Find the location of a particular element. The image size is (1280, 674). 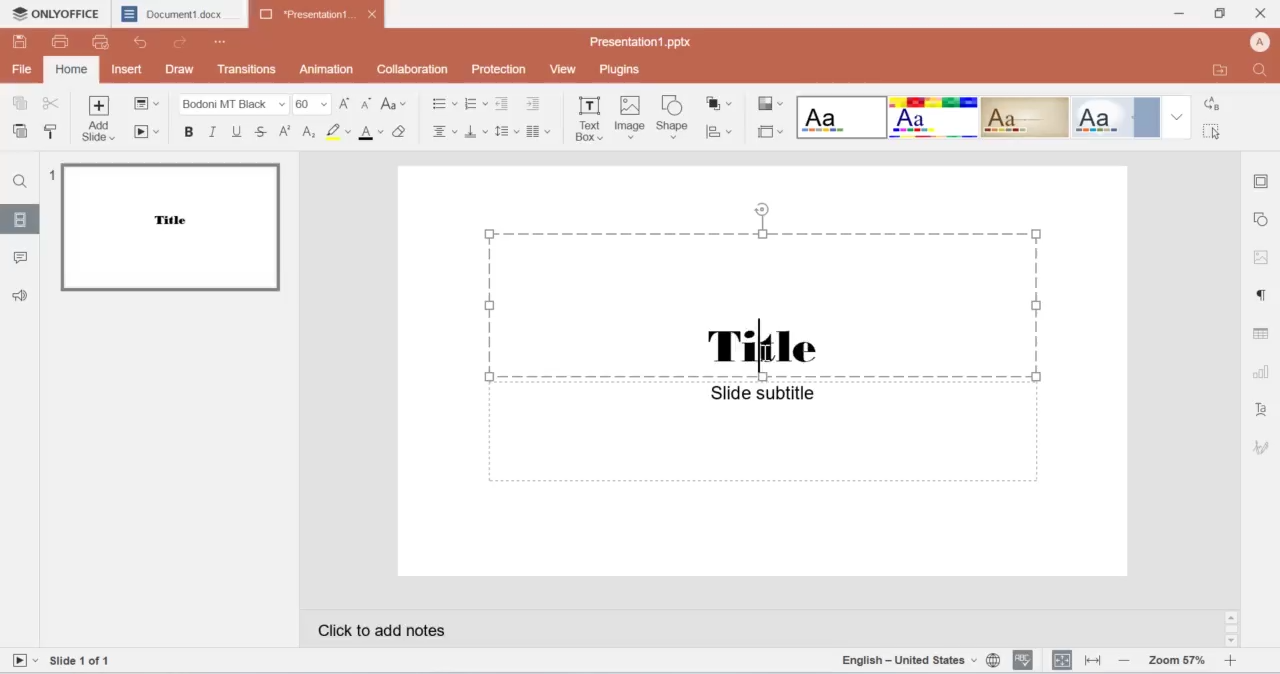

File is located at coordinates (21, 68).